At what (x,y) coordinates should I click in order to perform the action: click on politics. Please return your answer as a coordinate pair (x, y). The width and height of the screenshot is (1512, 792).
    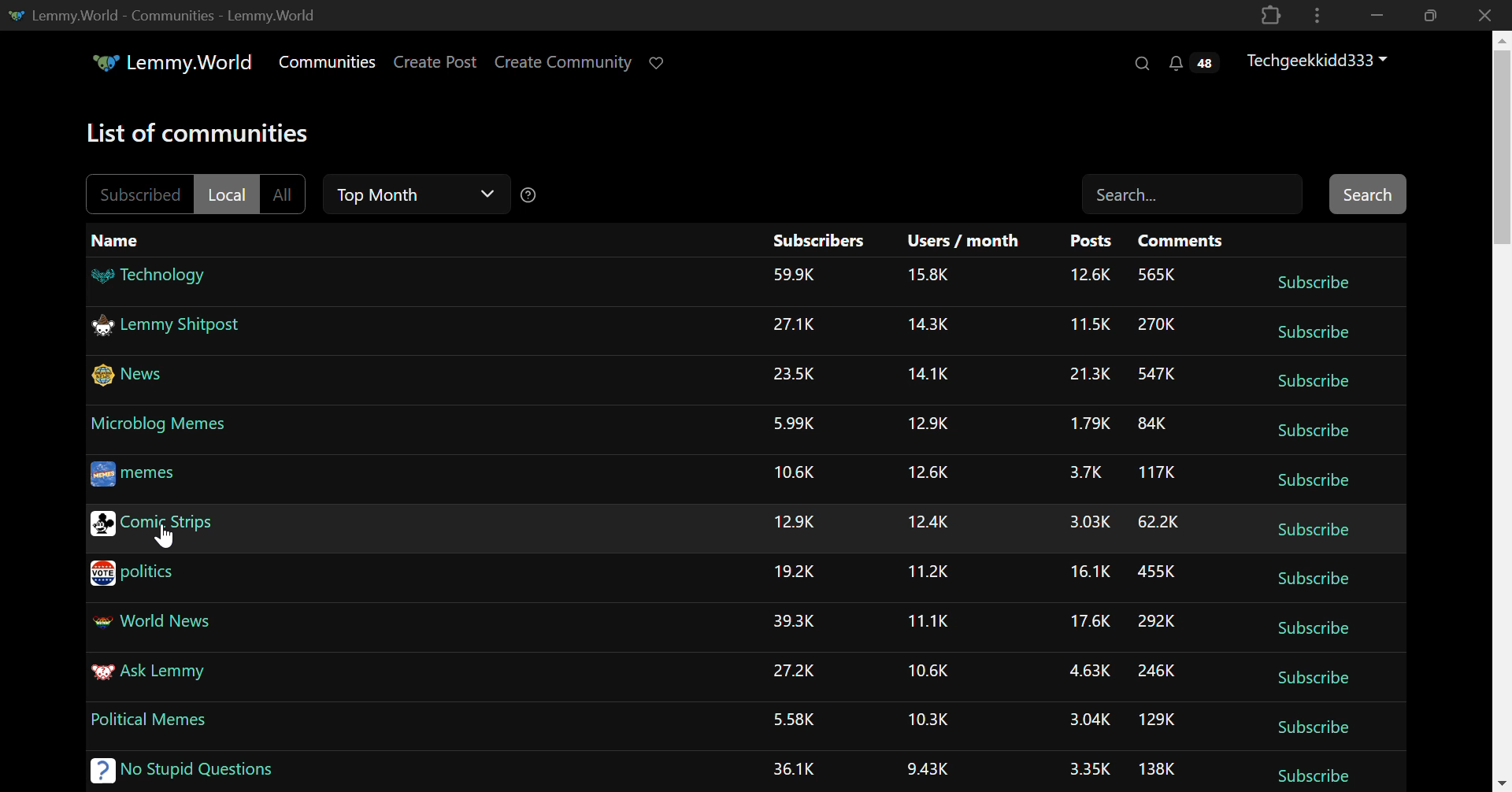
    Looking at the image, I should click on (138, 575).